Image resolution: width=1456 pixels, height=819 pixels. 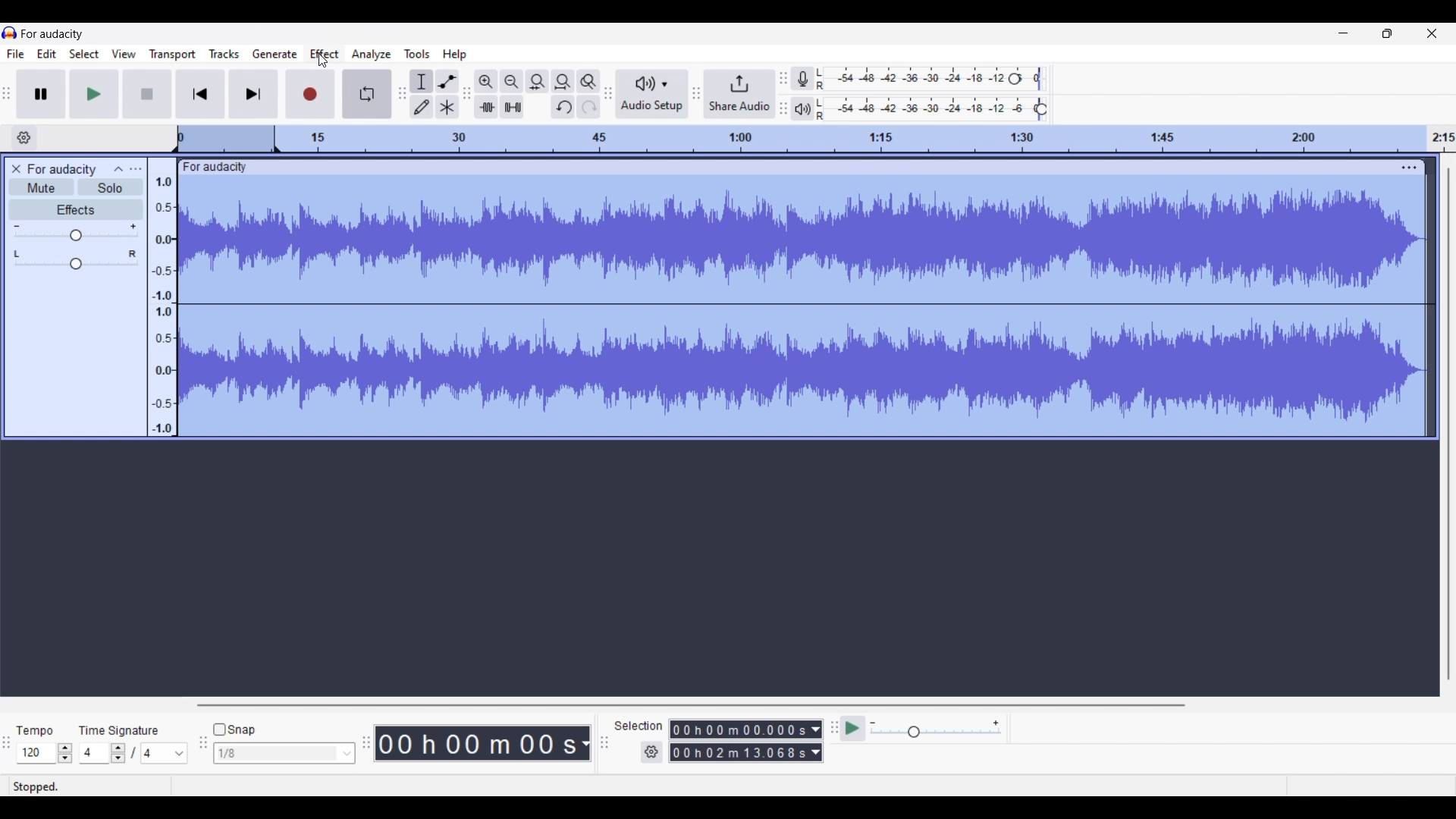 What do you see at coordinates (41, 187) in the screenshot?
I see `Mute` at bounding box center [41, 187].